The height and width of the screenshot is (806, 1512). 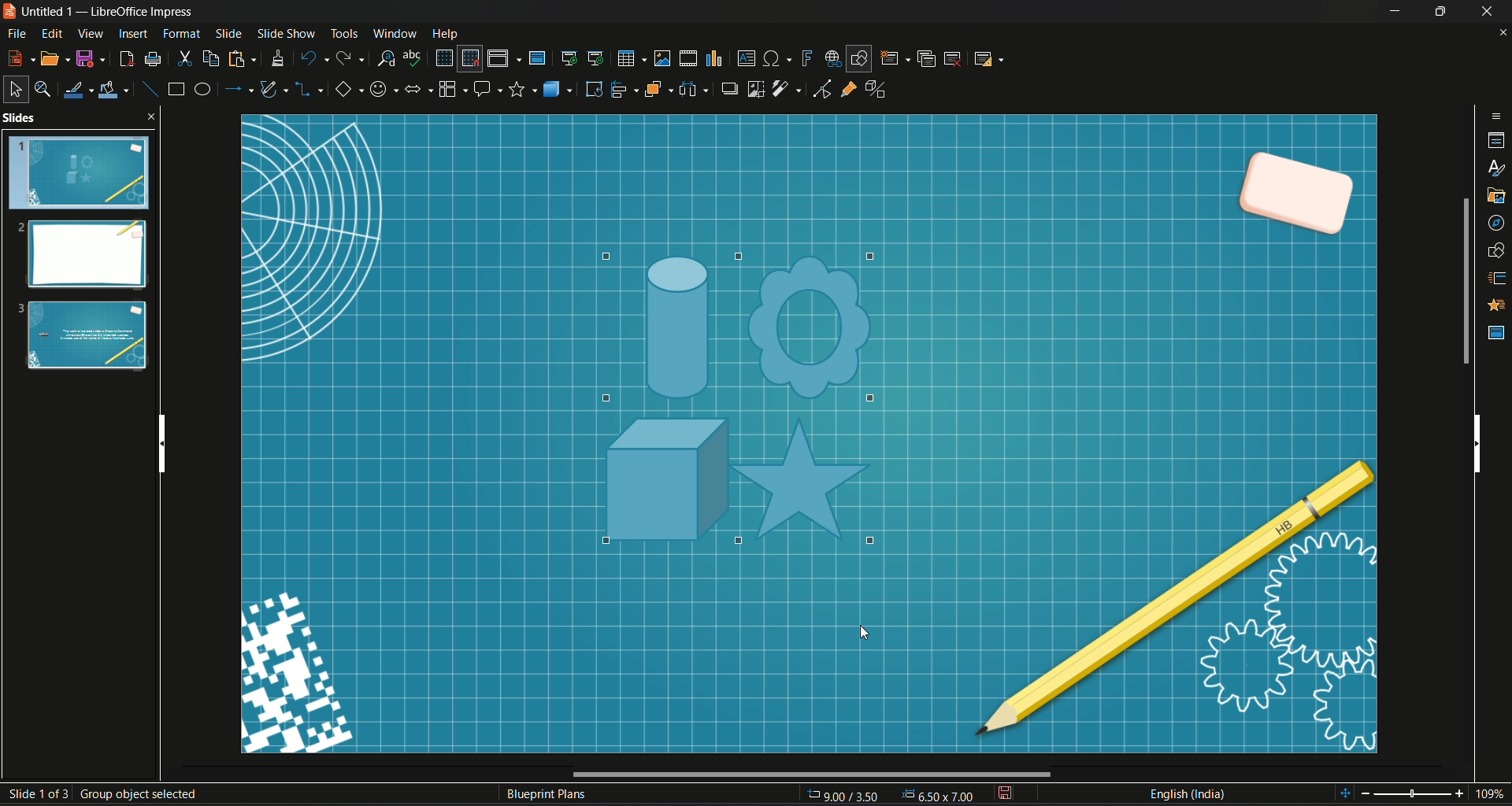 I want to click on insert chart, so click(x=713, y=59).